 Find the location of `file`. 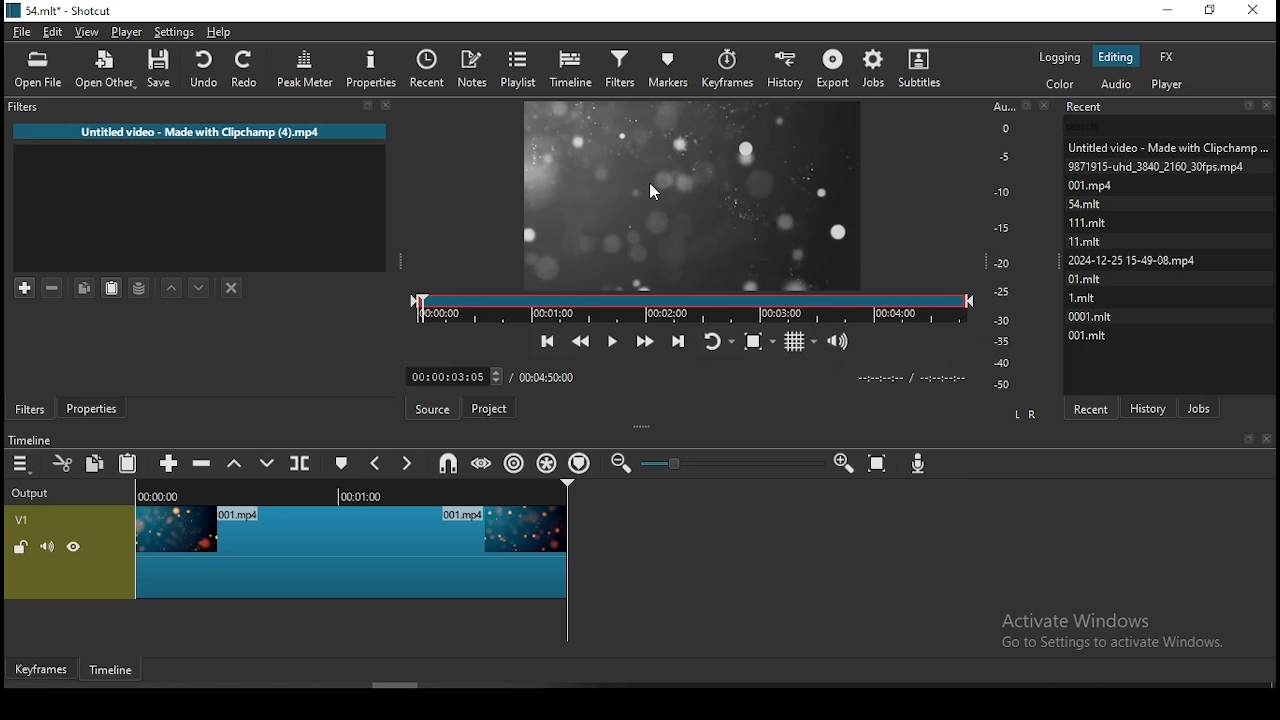

file is located at coordinates (20, 32).